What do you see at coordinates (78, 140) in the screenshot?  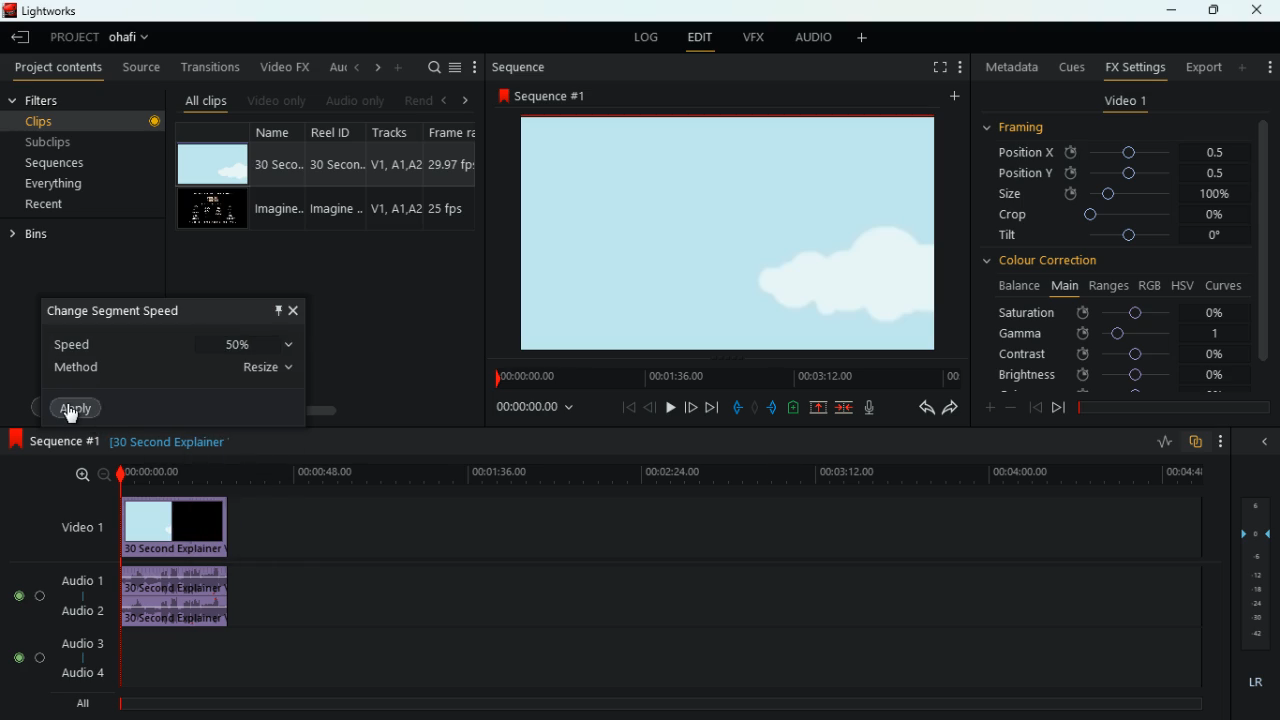 I see `subclips` at bounding box center [78, 140].